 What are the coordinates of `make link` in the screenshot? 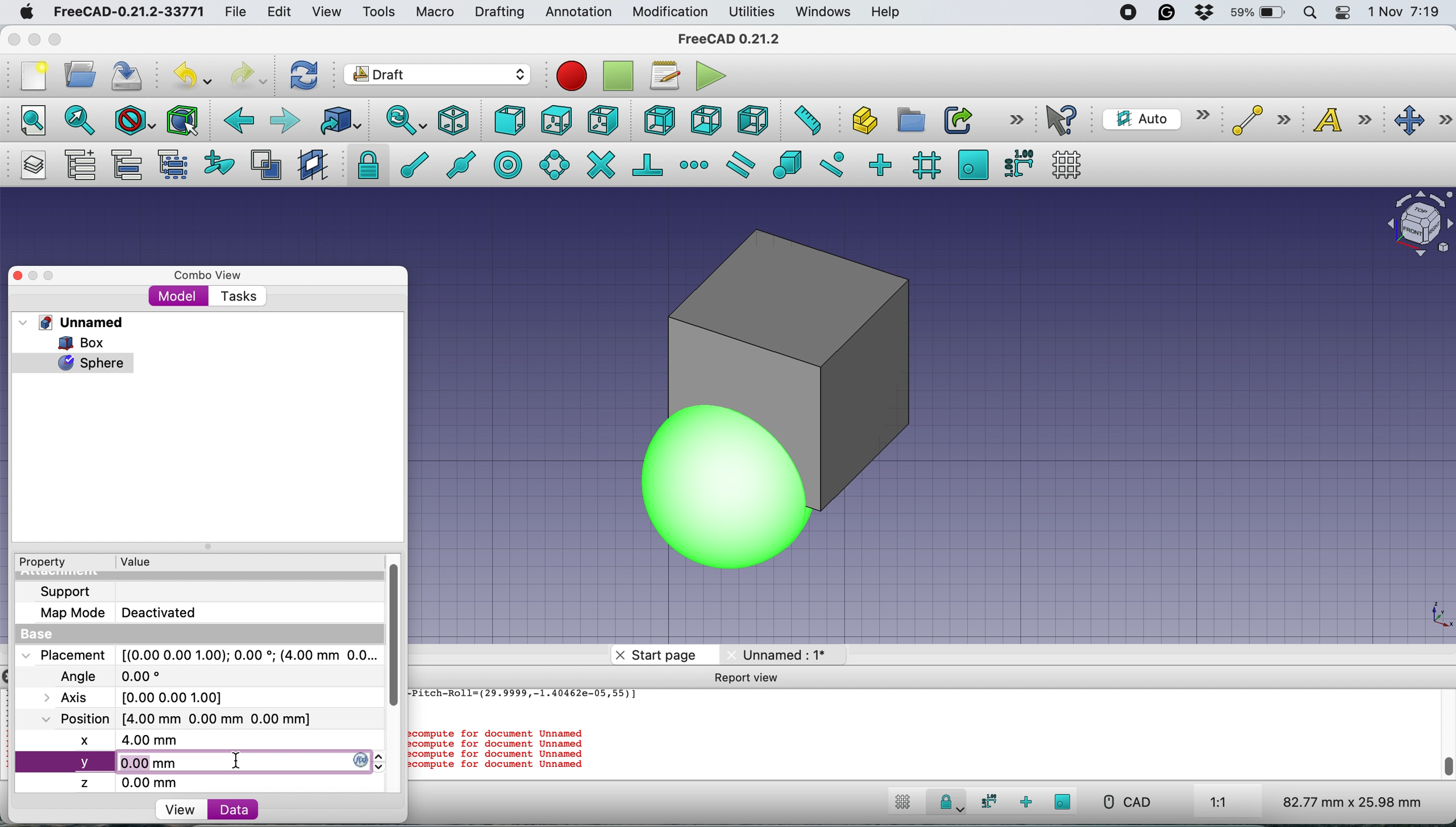 It's located at (958, 119).